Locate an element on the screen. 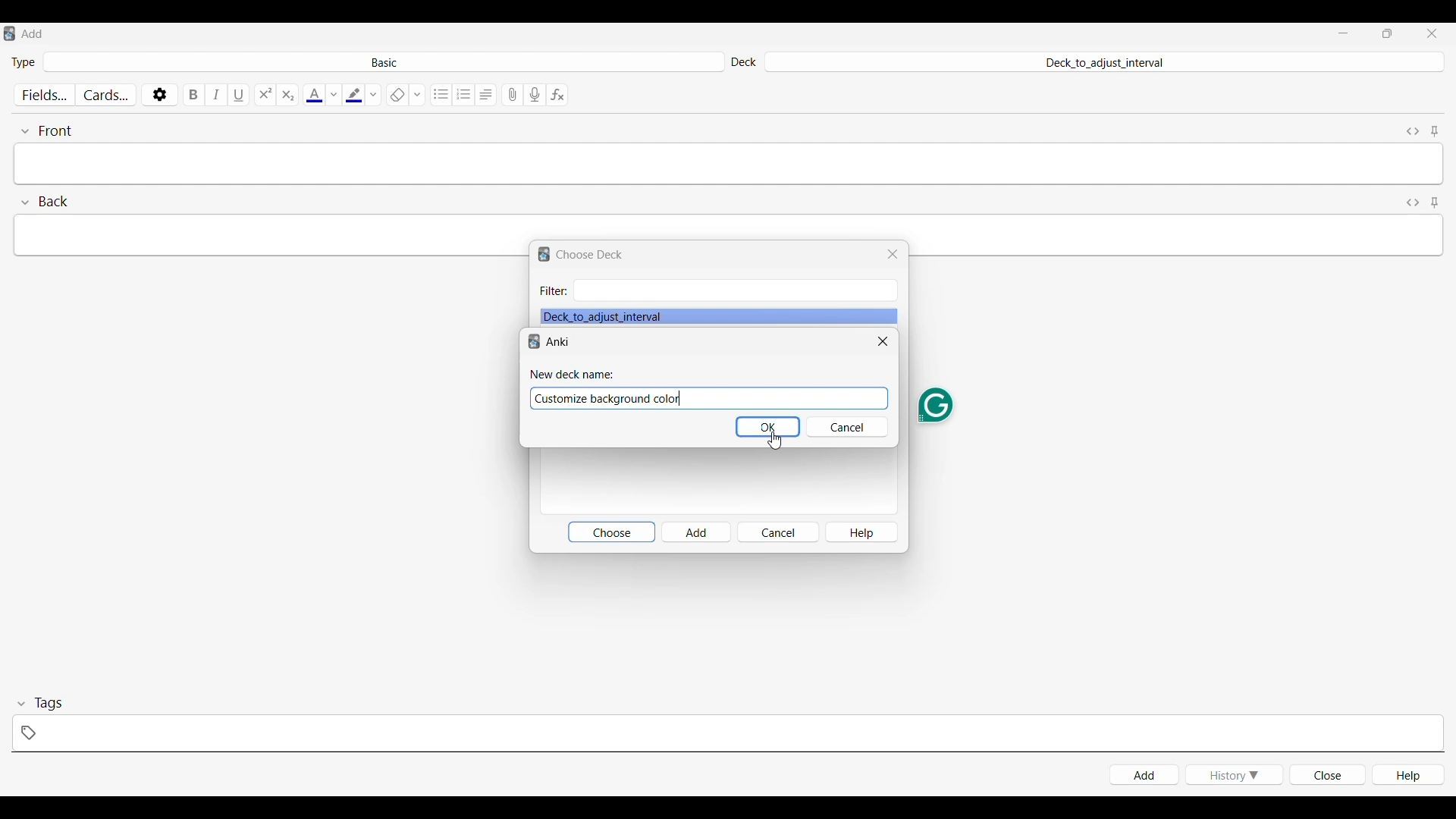  Save is located at coordinates (767, 427).